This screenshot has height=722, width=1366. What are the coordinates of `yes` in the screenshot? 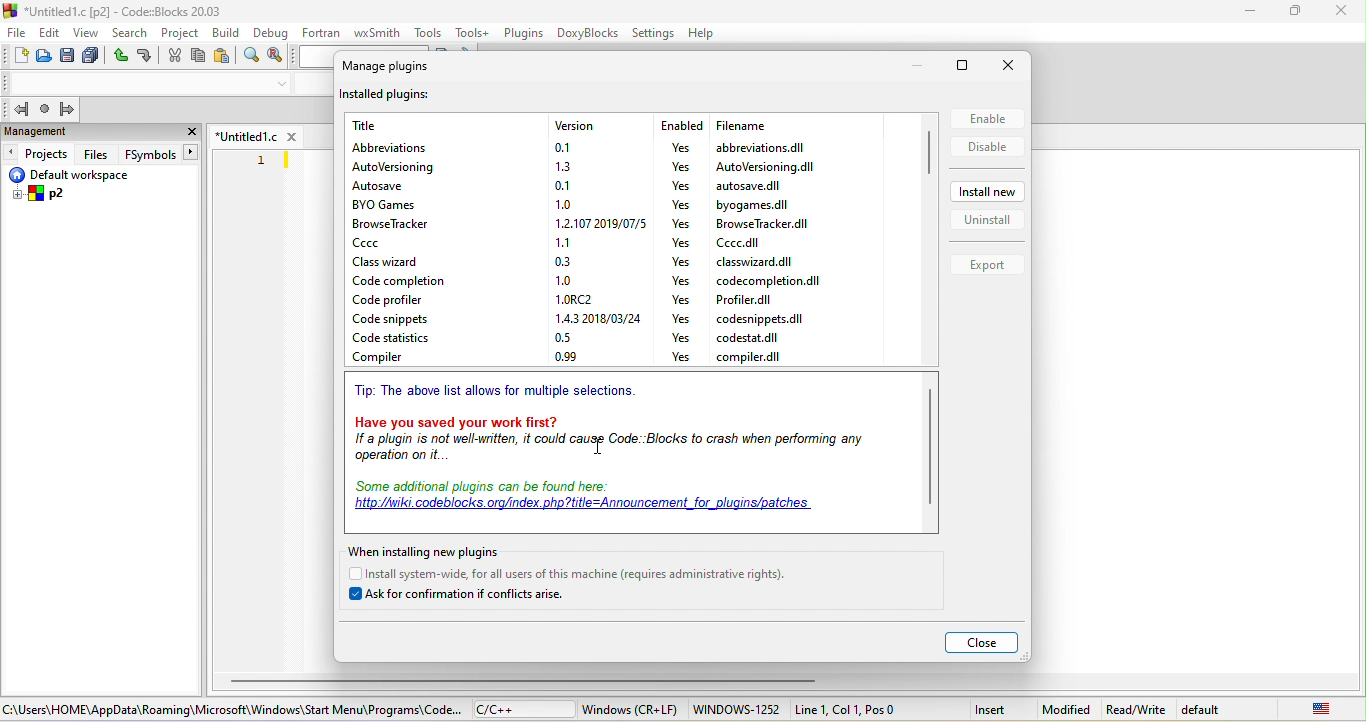 It's located at (681, 242).